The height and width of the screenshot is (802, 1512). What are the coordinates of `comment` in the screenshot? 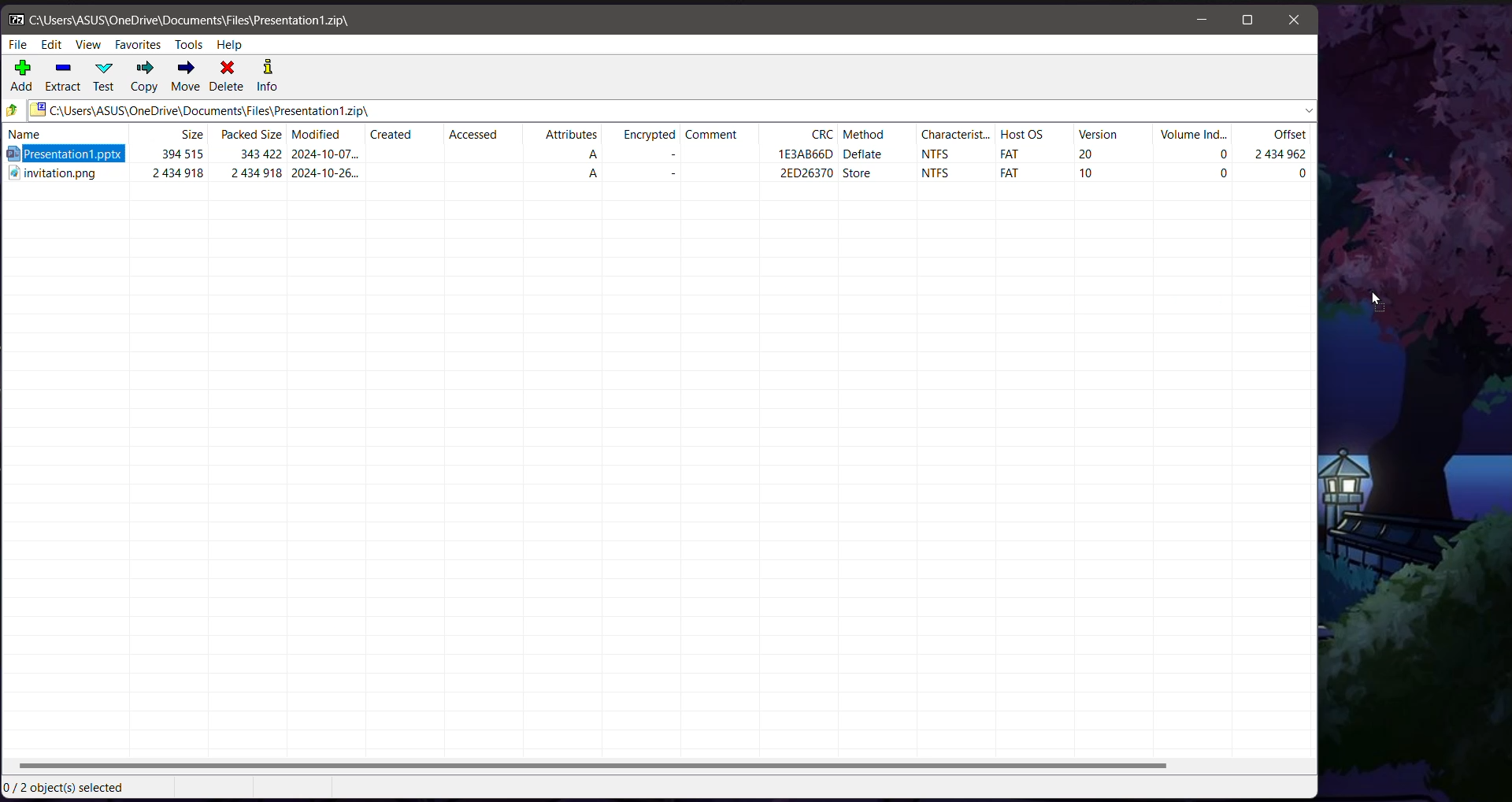 It's located at (715, 137).